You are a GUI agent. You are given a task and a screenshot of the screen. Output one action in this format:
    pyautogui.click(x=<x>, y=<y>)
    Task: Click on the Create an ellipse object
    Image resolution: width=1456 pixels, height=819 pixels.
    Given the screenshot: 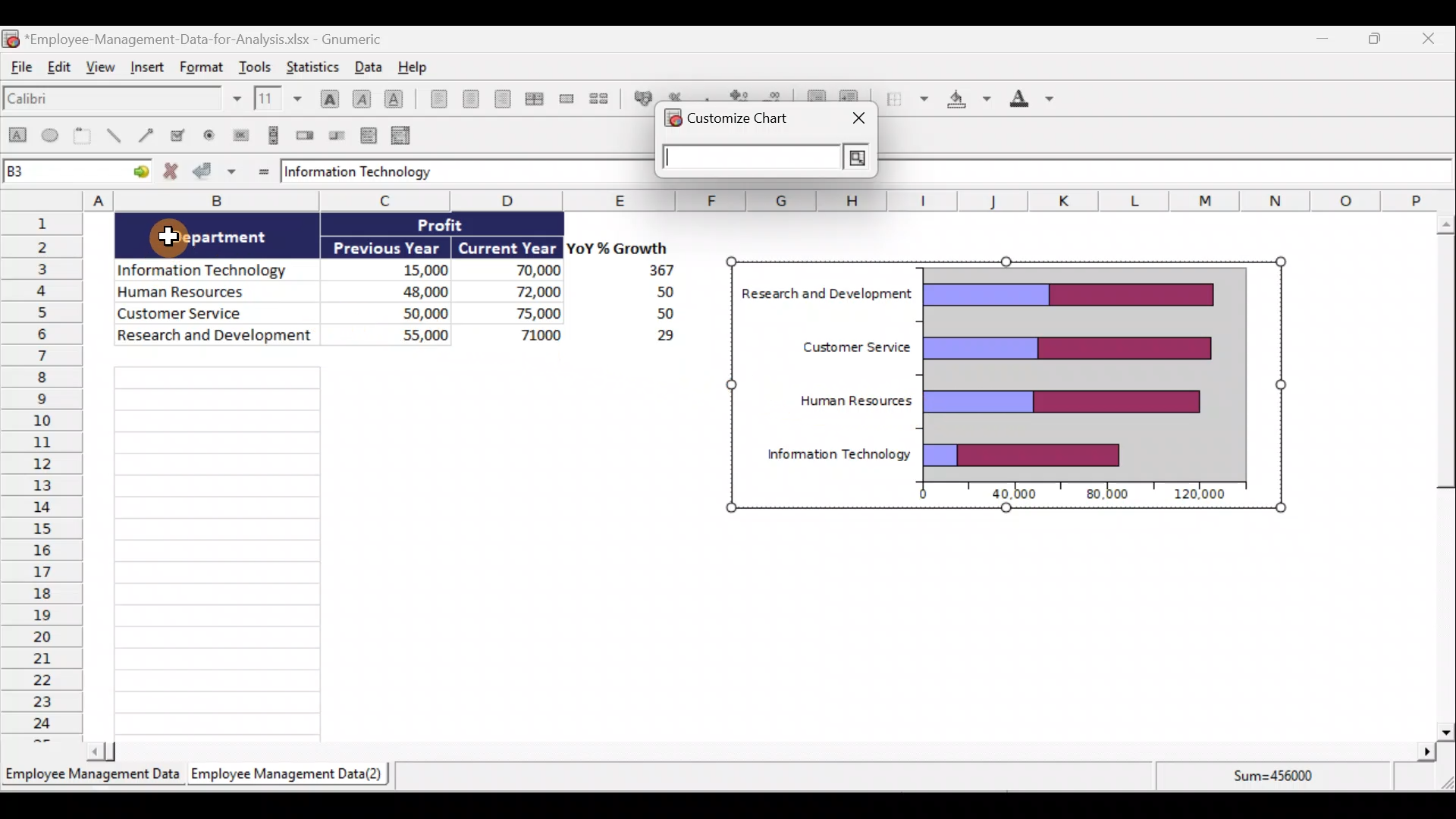 What is the action you would take?
    pyautogui.click(x=52, y=137)
    